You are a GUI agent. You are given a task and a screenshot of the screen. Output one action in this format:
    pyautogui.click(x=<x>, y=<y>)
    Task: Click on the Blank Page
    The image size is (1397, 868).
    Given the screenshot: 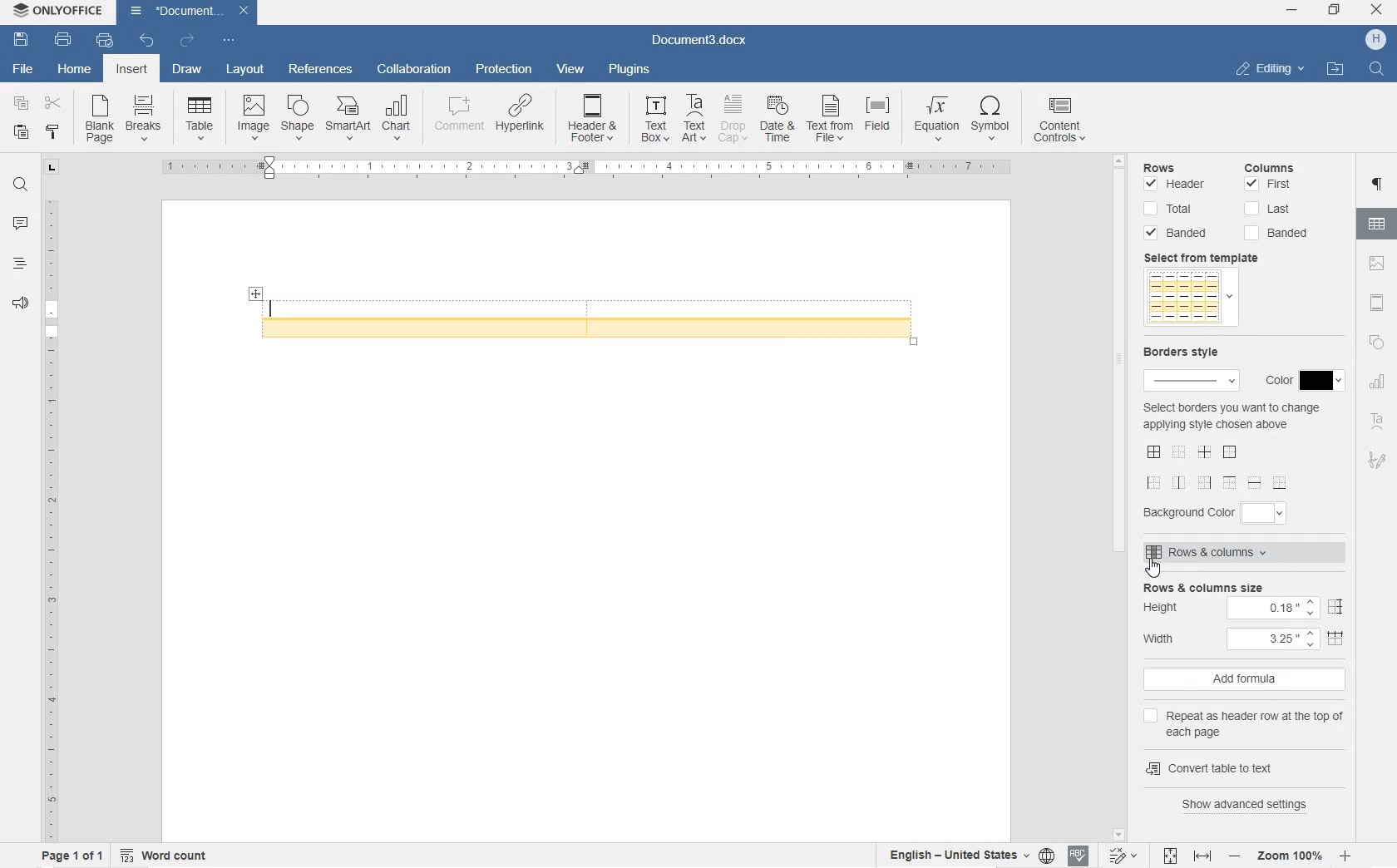 What is the action you would take?
    pyautogui.click(x=100, y=120)
    